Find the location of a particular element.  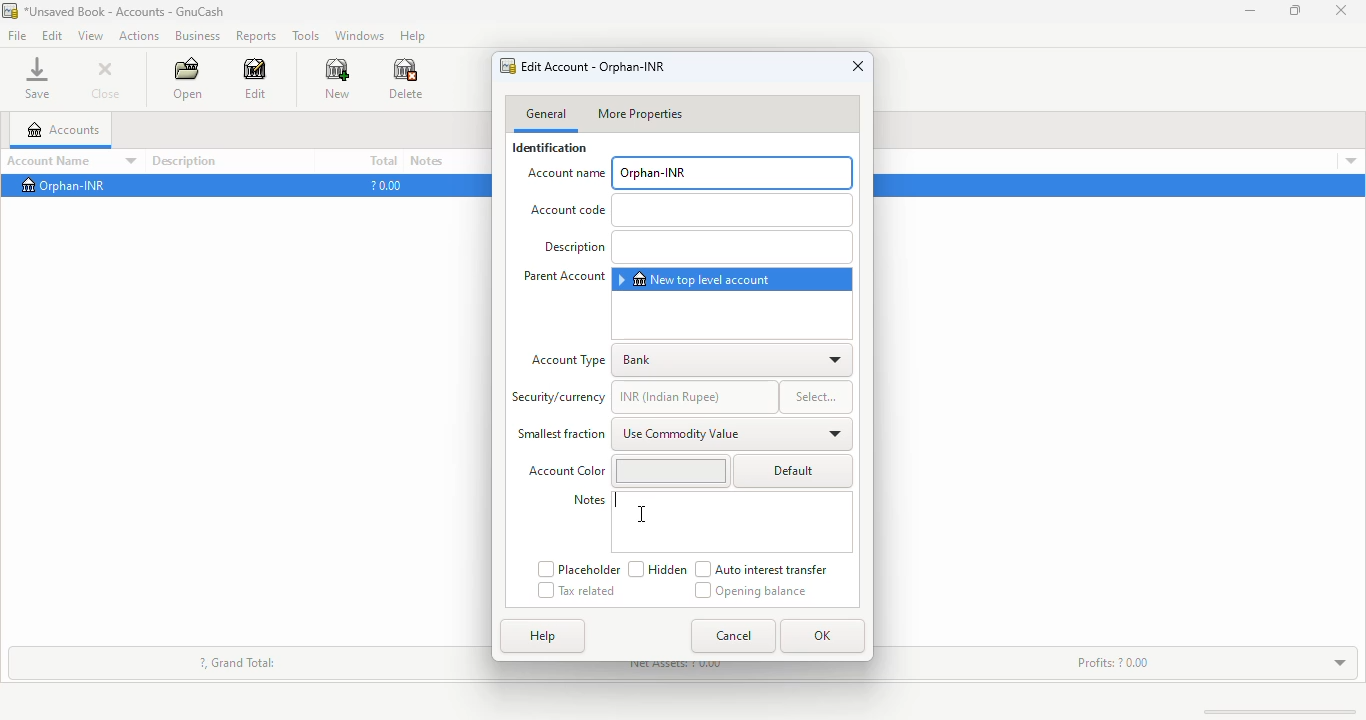

new is located at coordinates (336, 78).